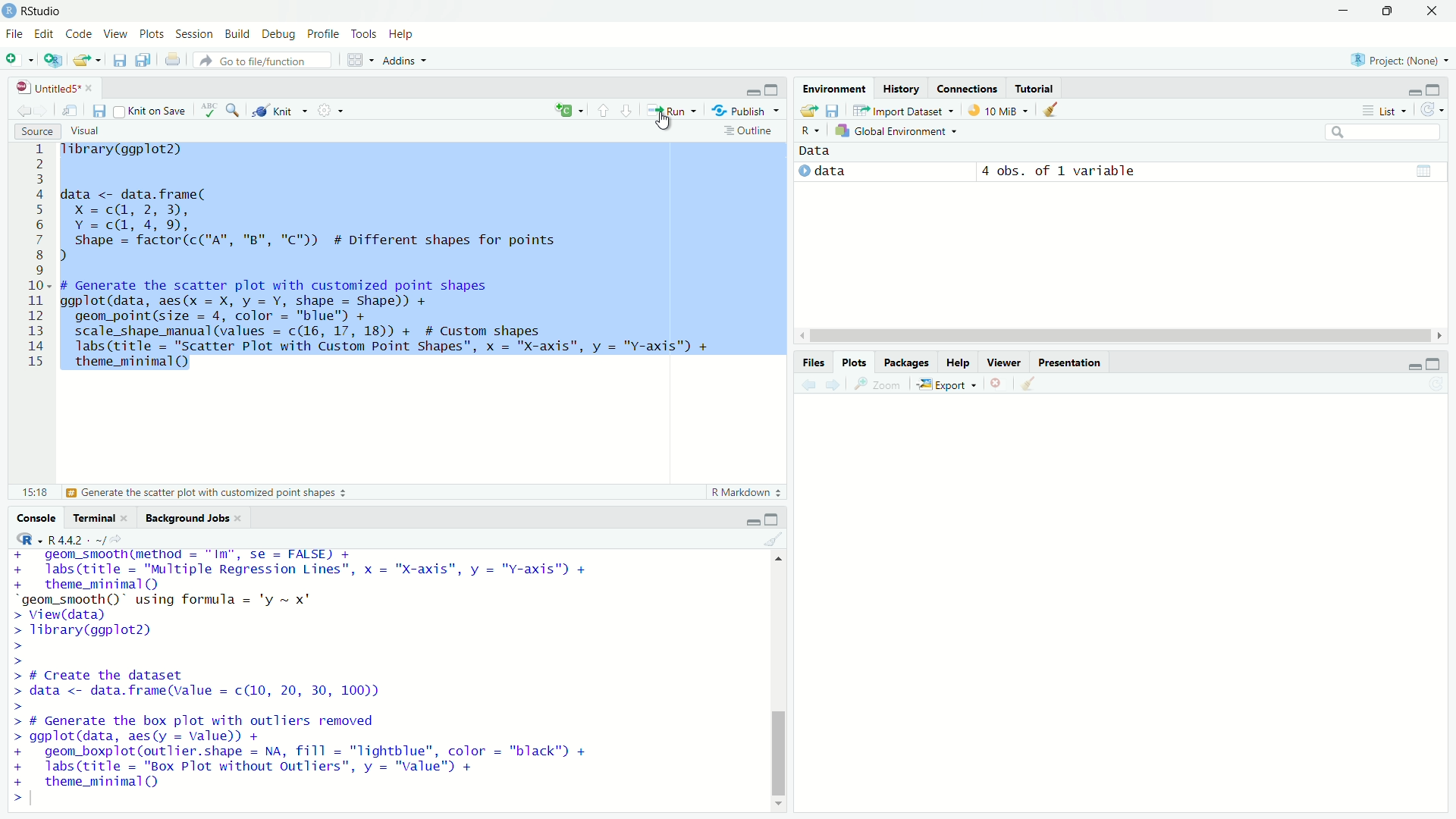 Image resolution: width=1456 pixels, height=819 pixels. What do you see at coordinates (71, 110) in the screenshot?
I see `Show in new window` at bounding box center [71, 110].